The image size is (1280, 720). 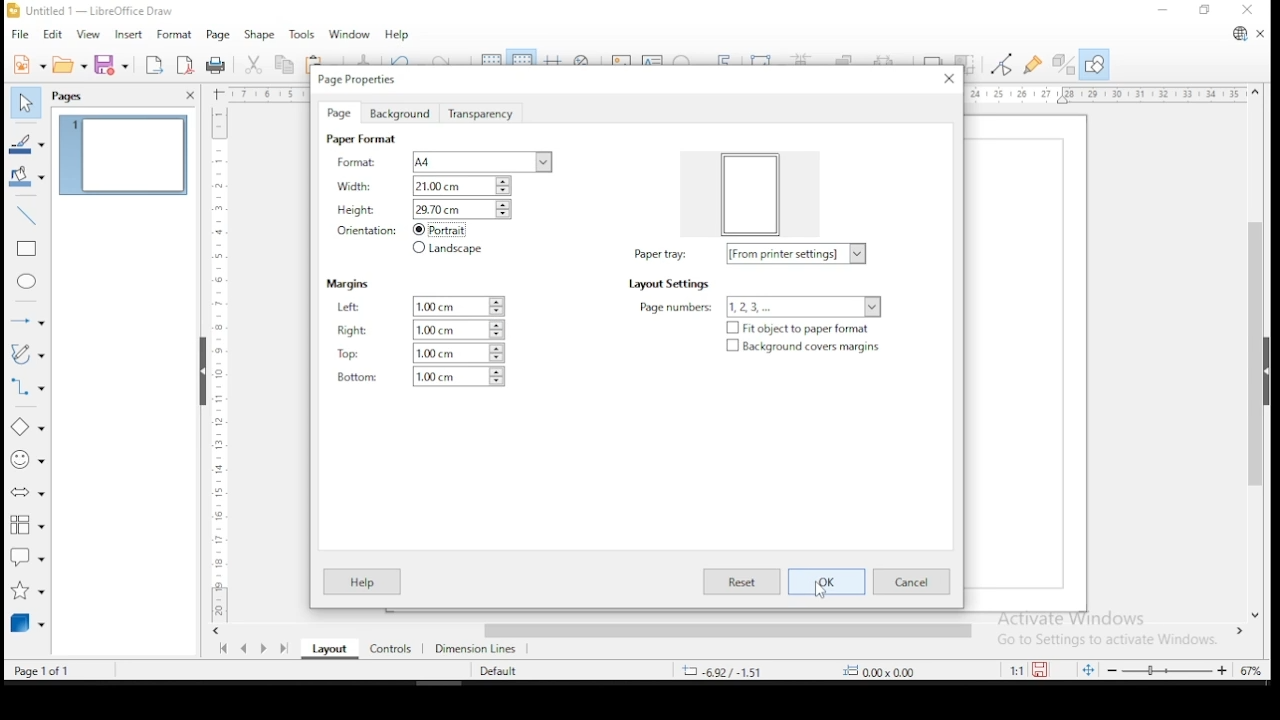 I want to click on page, so click(x=339, y=113).